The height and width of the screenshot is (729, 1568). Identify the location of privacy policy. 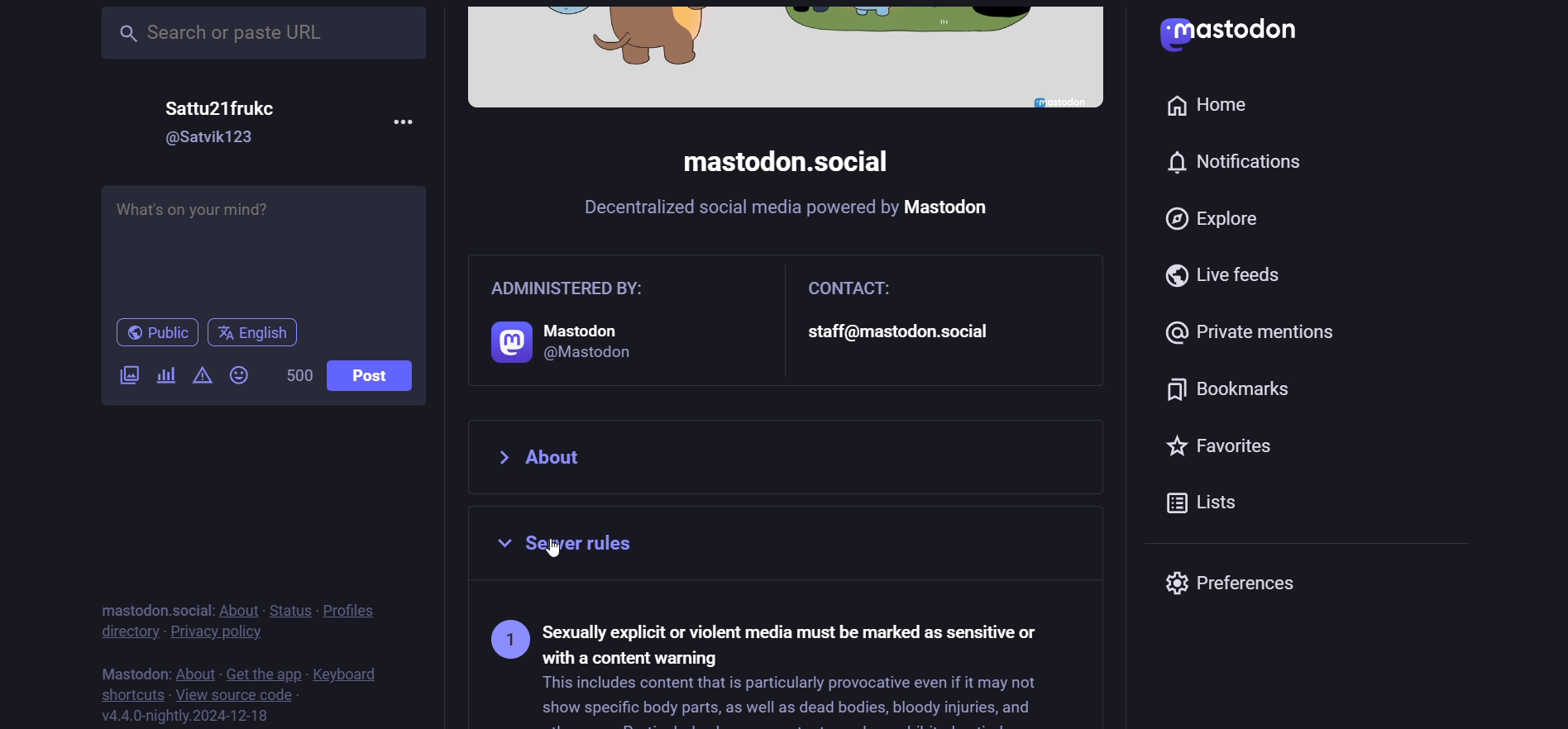
(218, 631).